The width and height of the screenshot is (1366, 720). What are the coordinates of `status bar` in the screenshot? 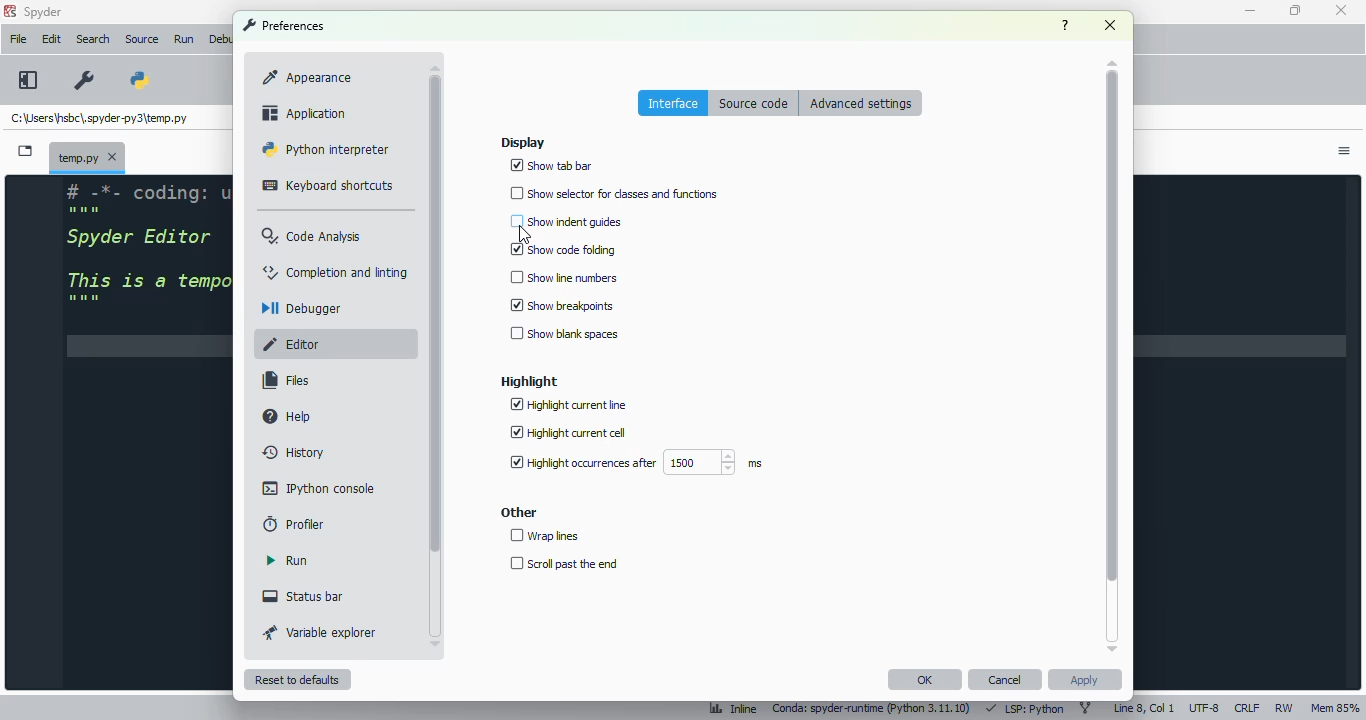 It's located at (305, 596).